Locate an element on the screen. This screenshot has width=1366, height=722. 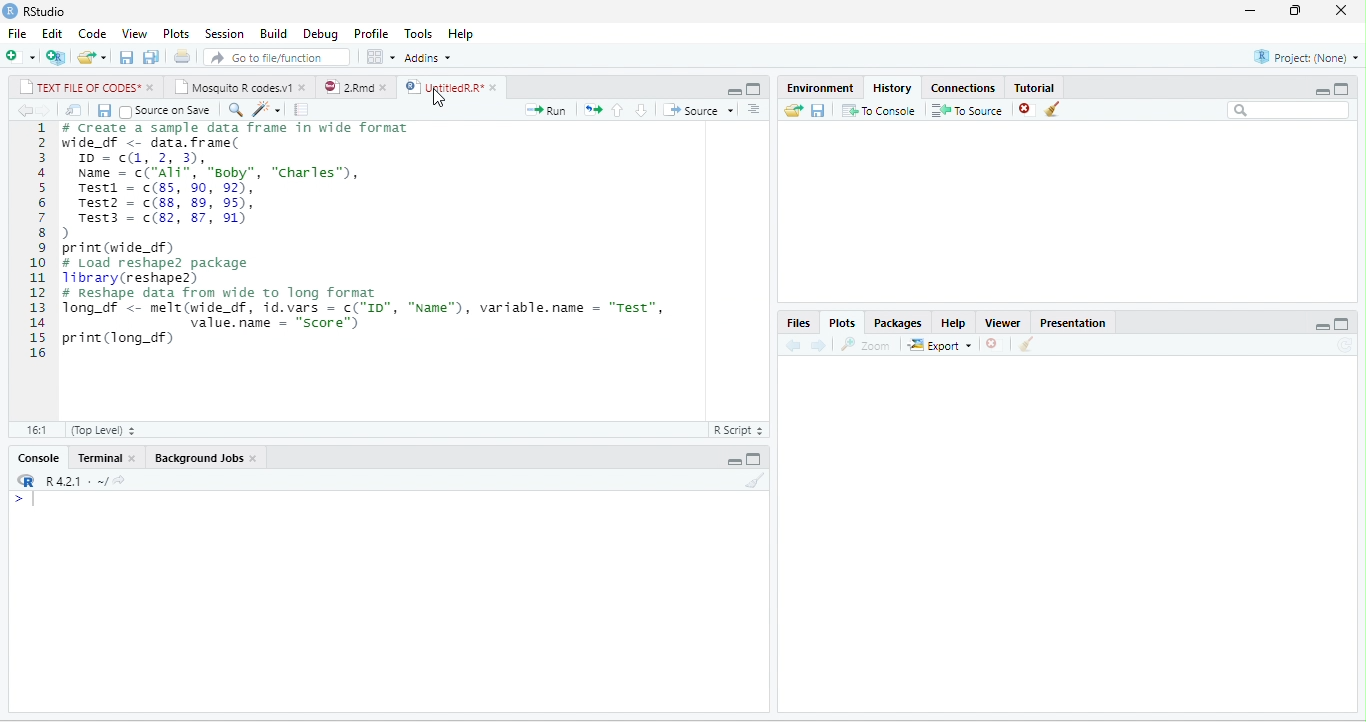
open folder is located at coordinates (794, 110).